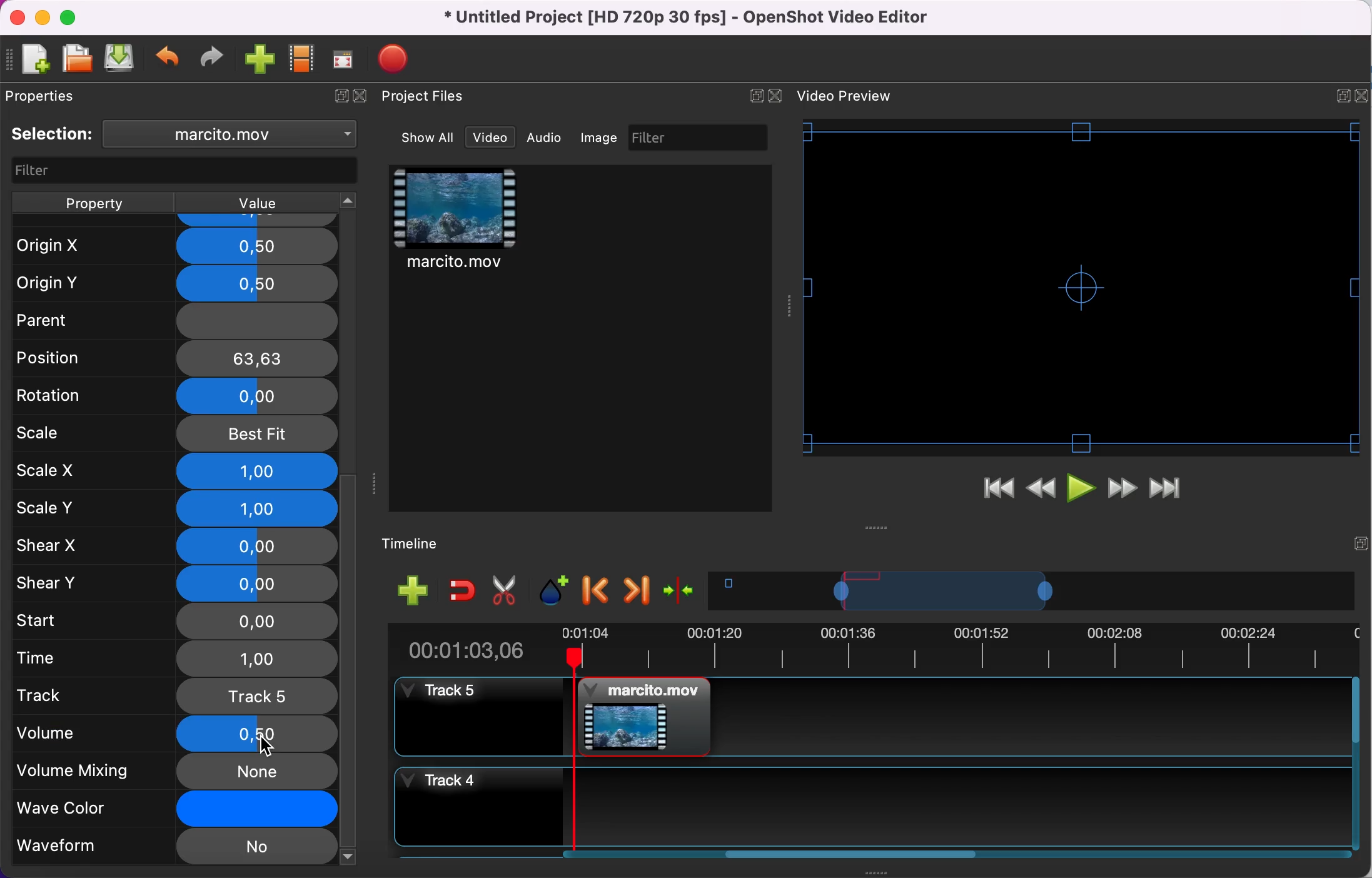 The height and width of the screenshot is (878, 1372). I want to click on scale x 1, so click(176, 472).